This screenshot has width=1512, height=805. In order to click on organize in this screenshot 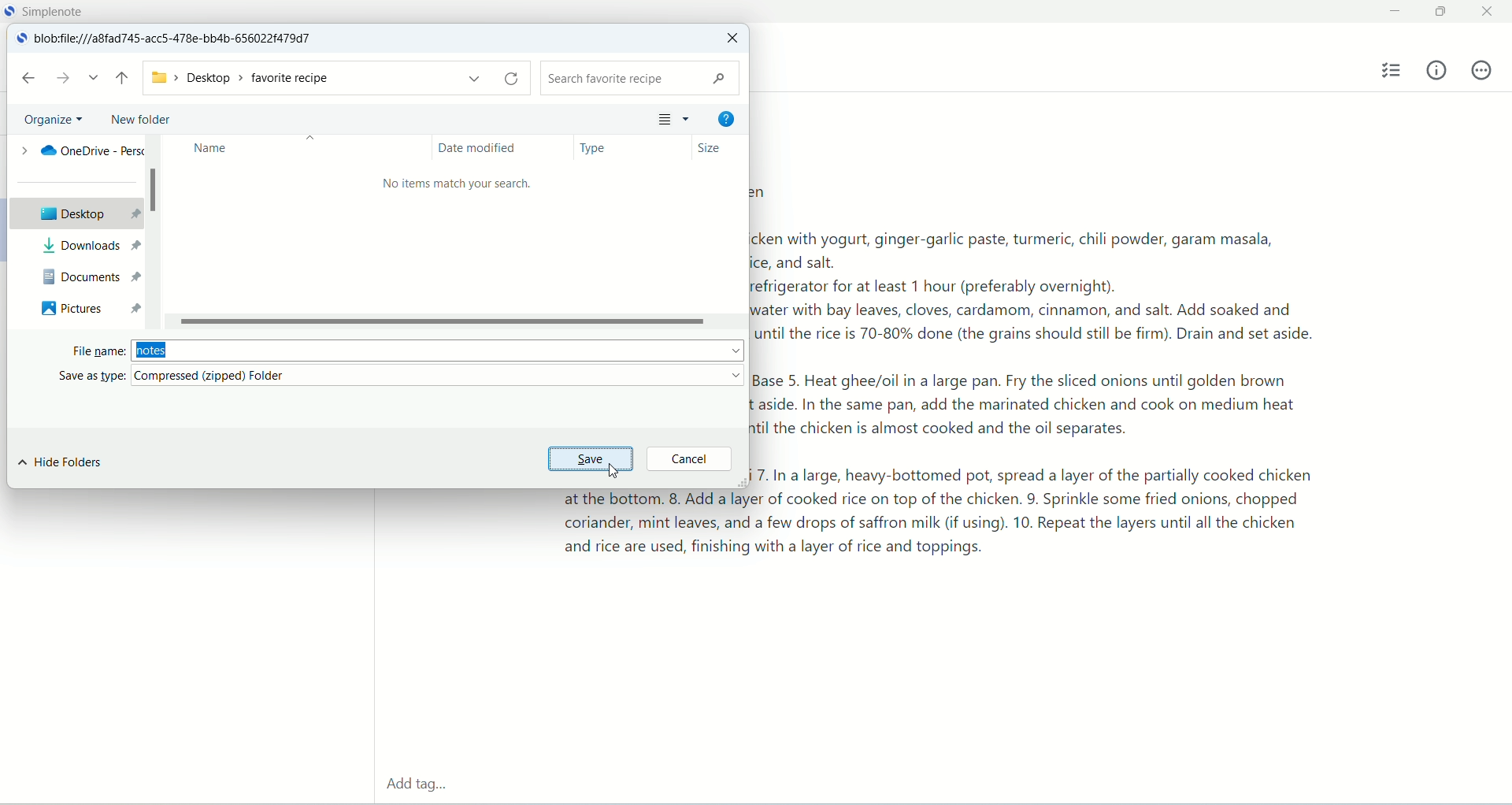, I will do `click(55, 118)`.